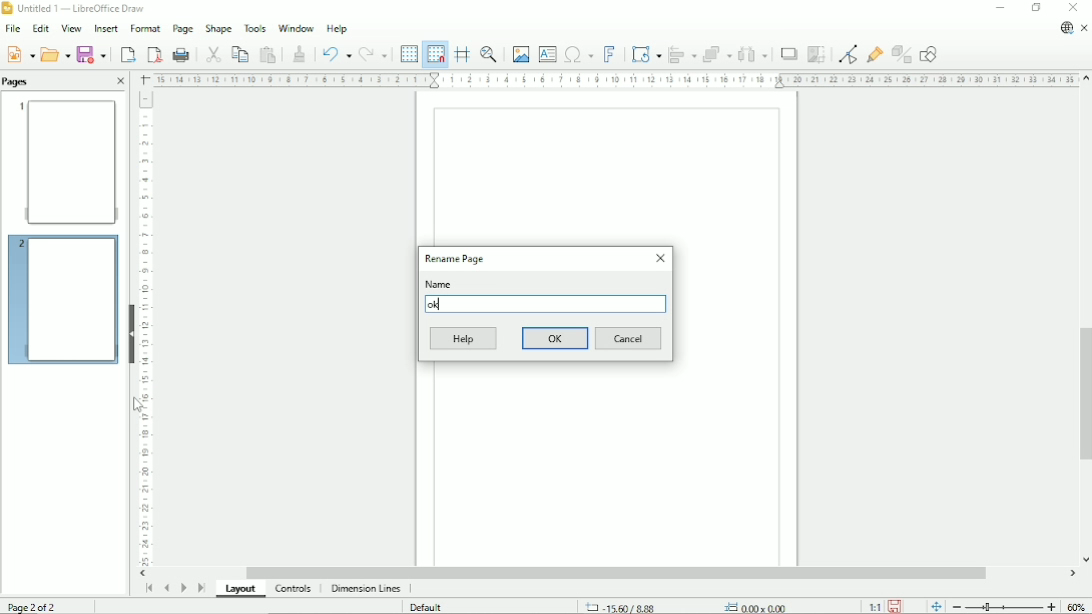  Describe the element at coordinates (18, 81) in the screenshot. I see `Pages` at that location.